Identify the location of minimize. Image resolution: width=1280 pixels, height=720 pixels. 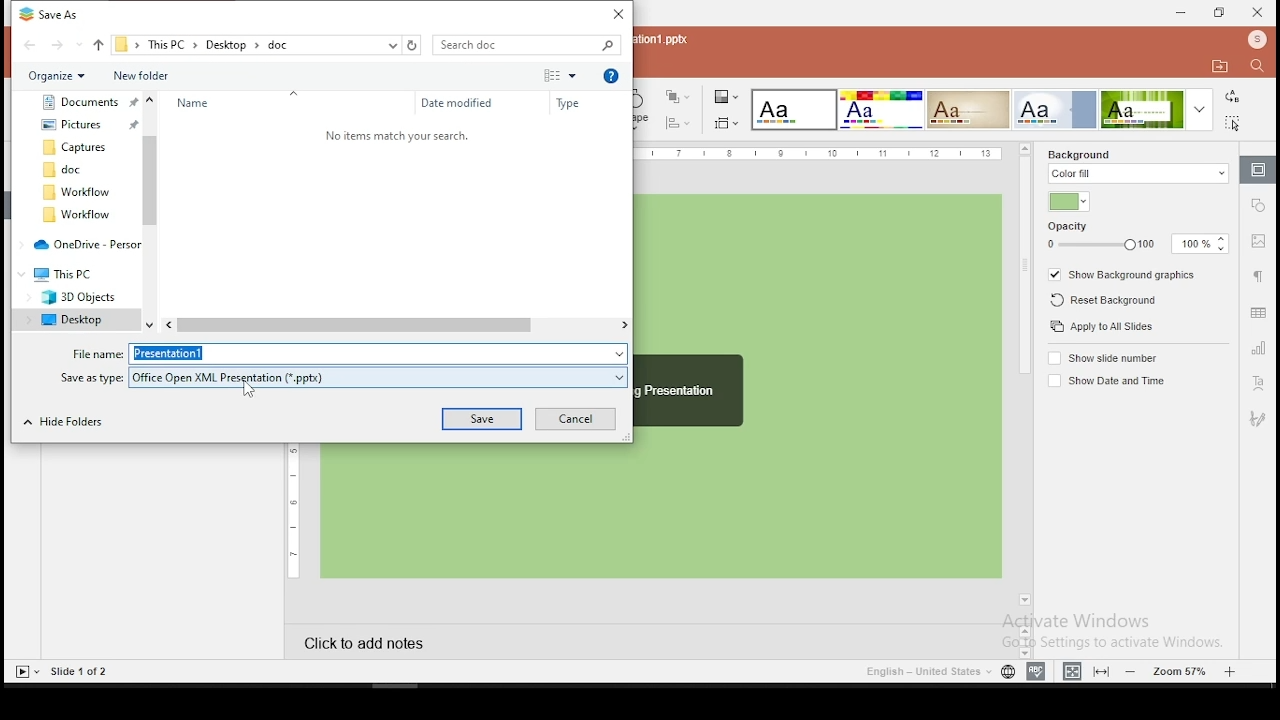
(1178, 12).